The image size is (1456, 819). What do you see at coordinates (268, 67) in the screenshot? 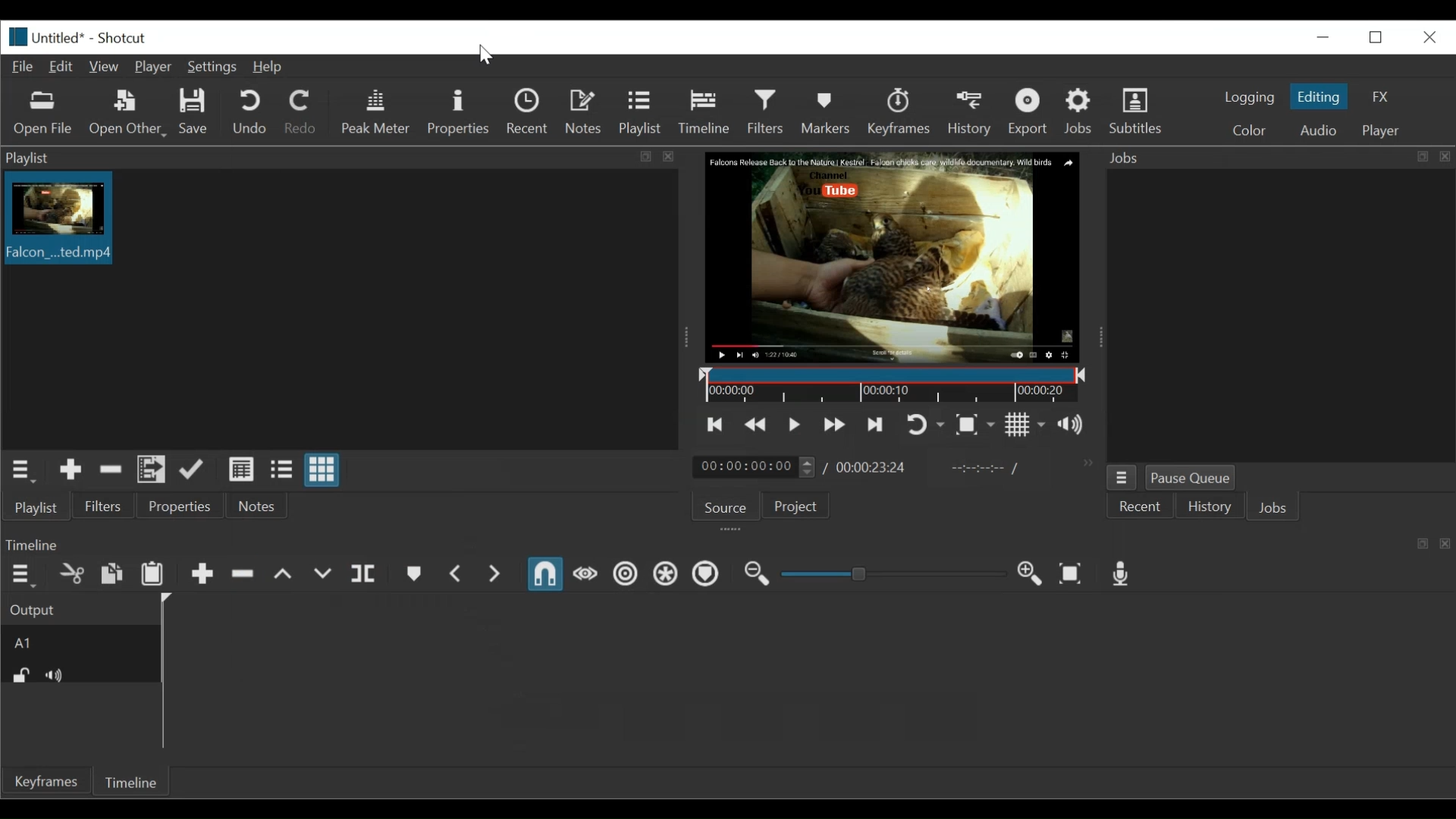
I see `Help` at bounding box center [268, 67].